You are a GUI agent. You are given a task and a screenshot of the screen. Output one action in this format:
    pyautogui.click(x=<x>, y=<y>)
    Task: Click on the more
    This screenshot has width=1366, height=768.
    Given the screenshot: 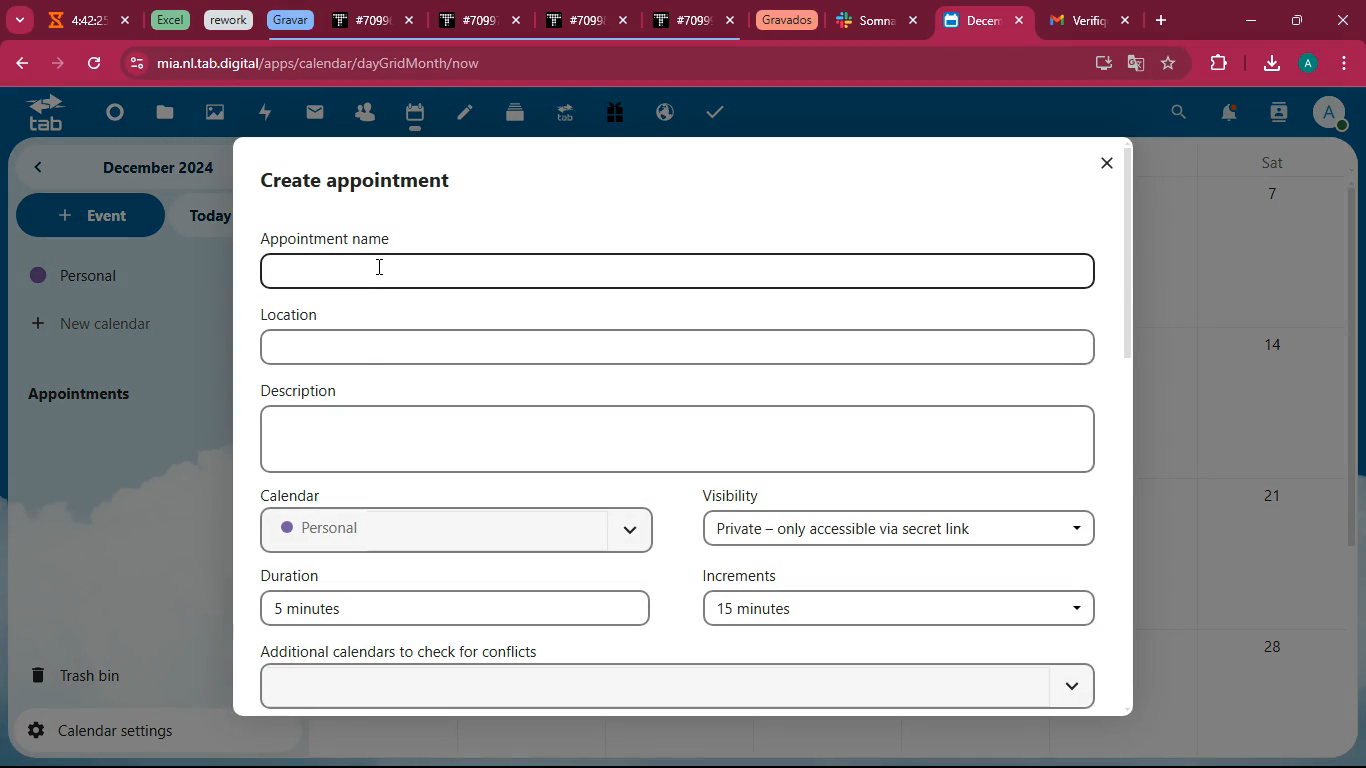 What is the action you would take?
    pyautogui.click(x=18, y=18)
    